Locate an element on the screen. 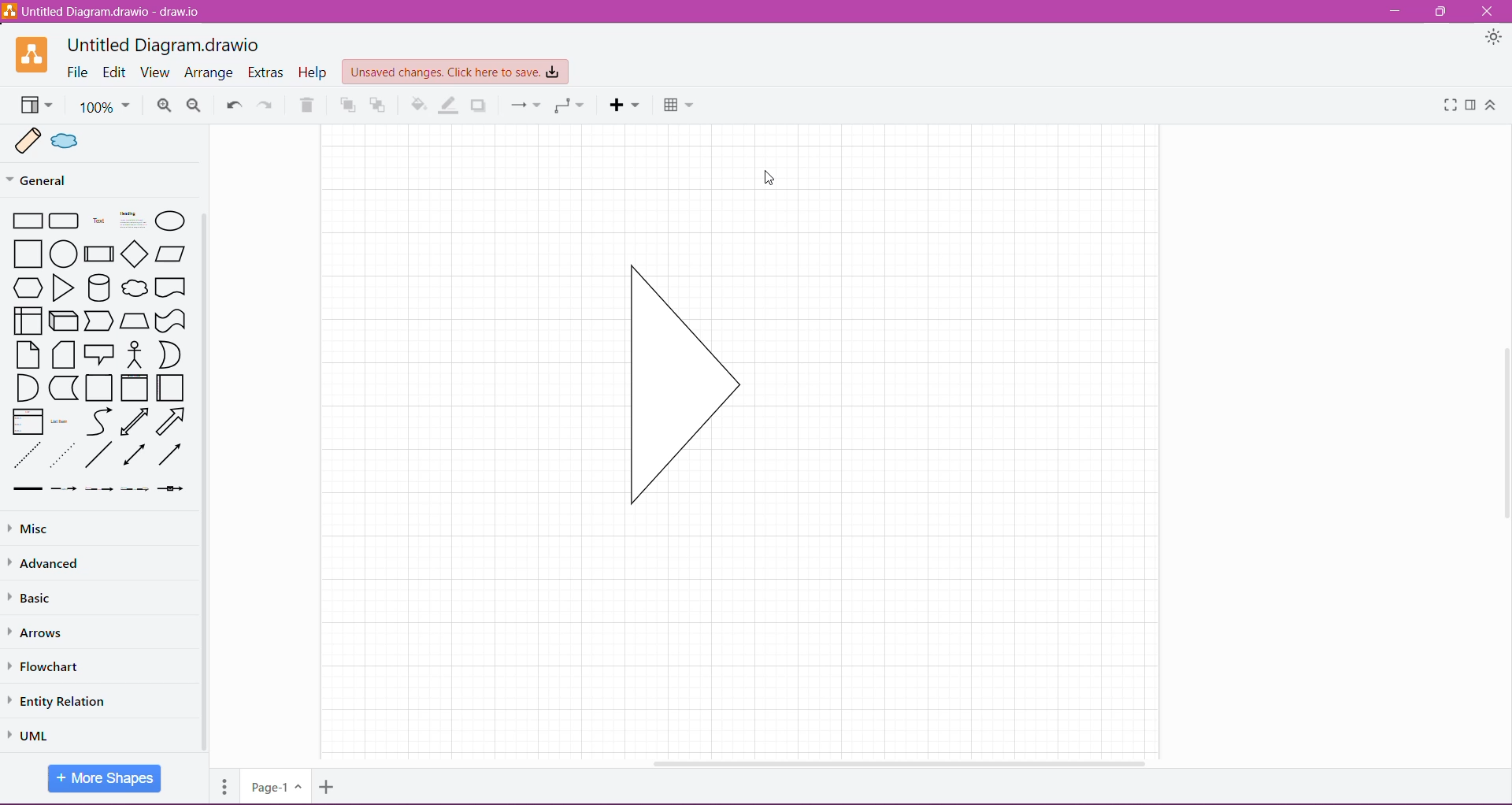 This screenshot has width=1512, height=805. Advanced is located at coordinates (48, 566).